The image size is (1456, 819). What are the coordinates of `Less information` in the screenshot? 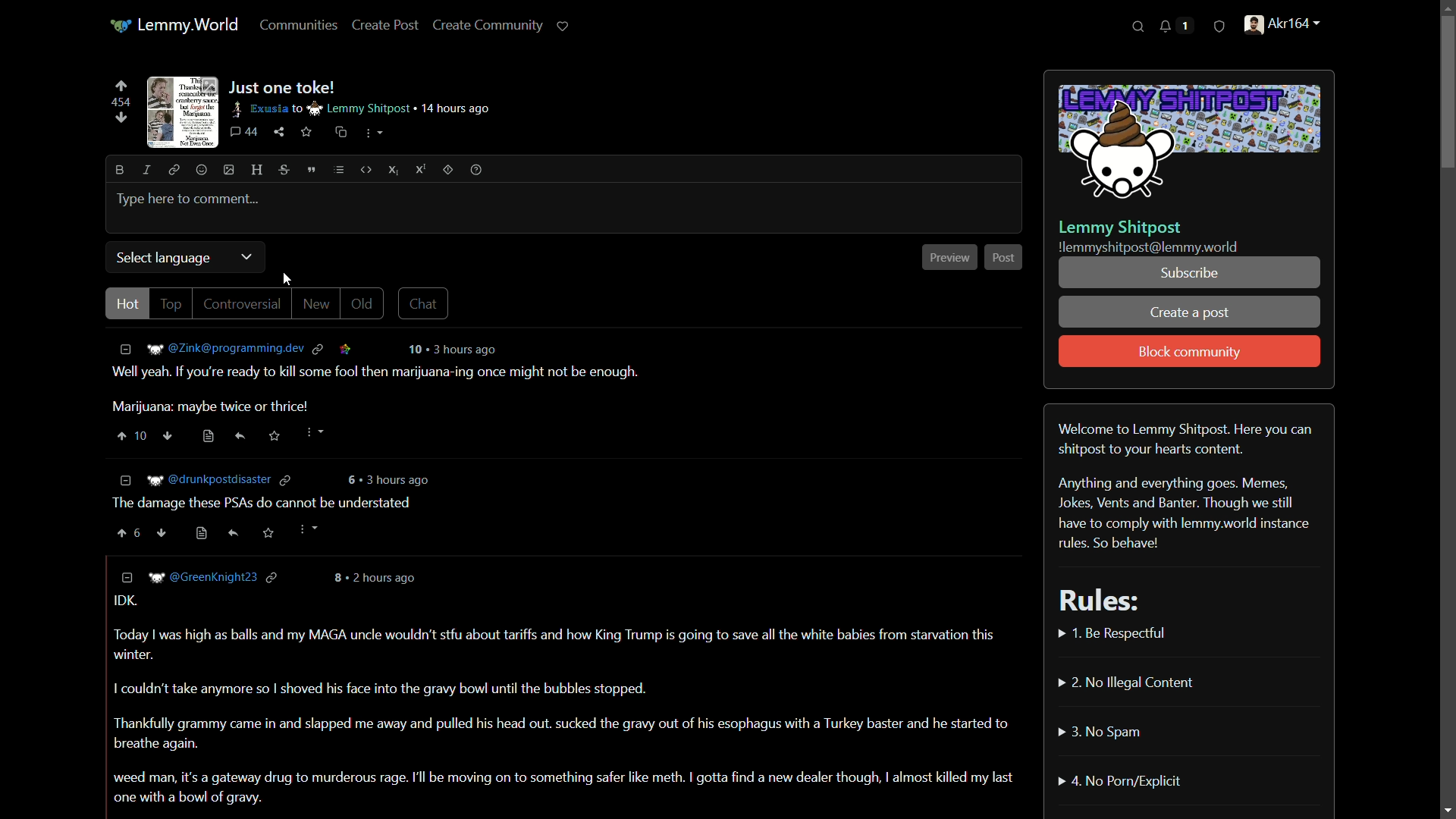 It's located at (125, 481).